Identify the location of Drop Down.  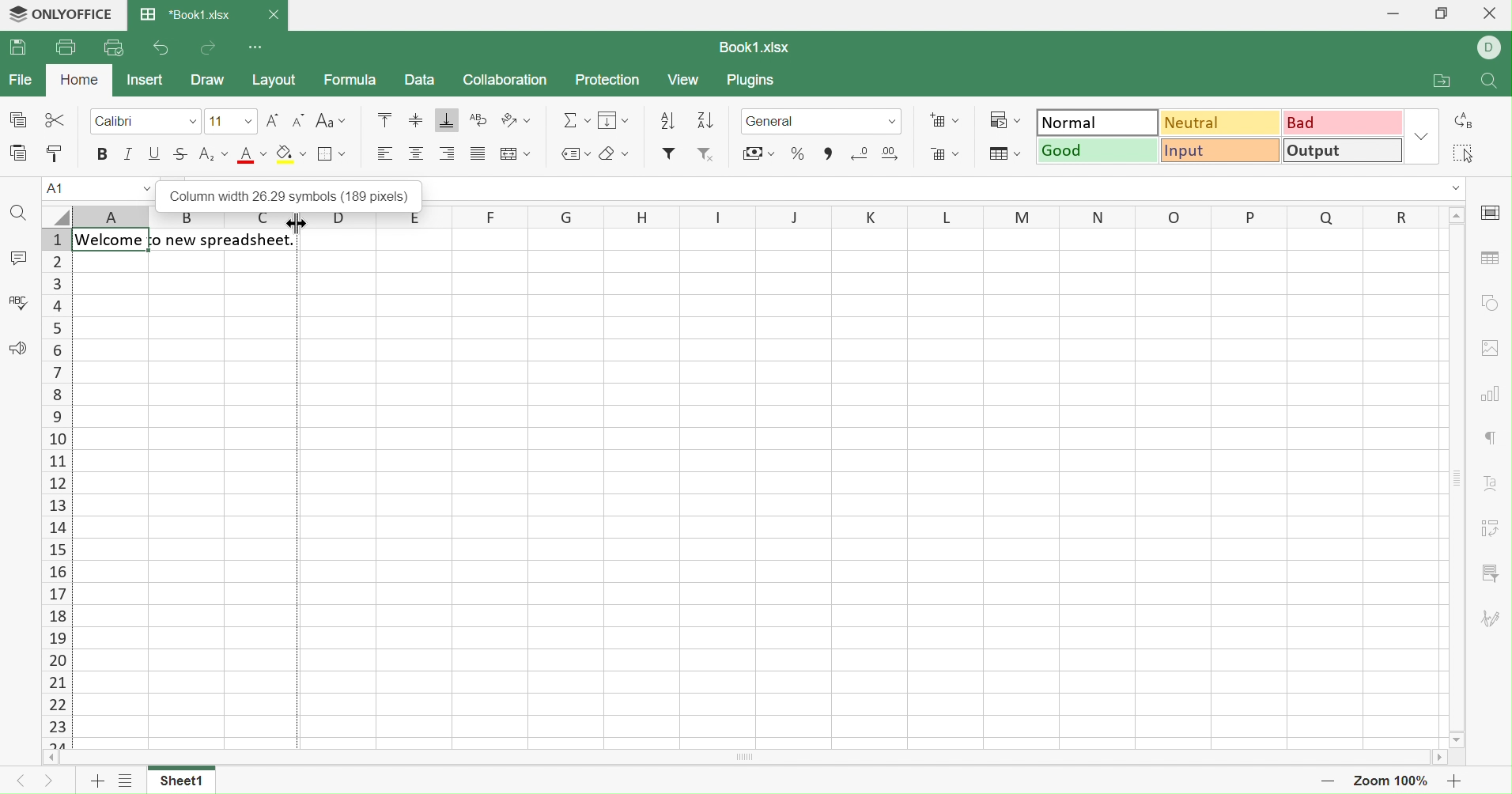
(1457, 216).